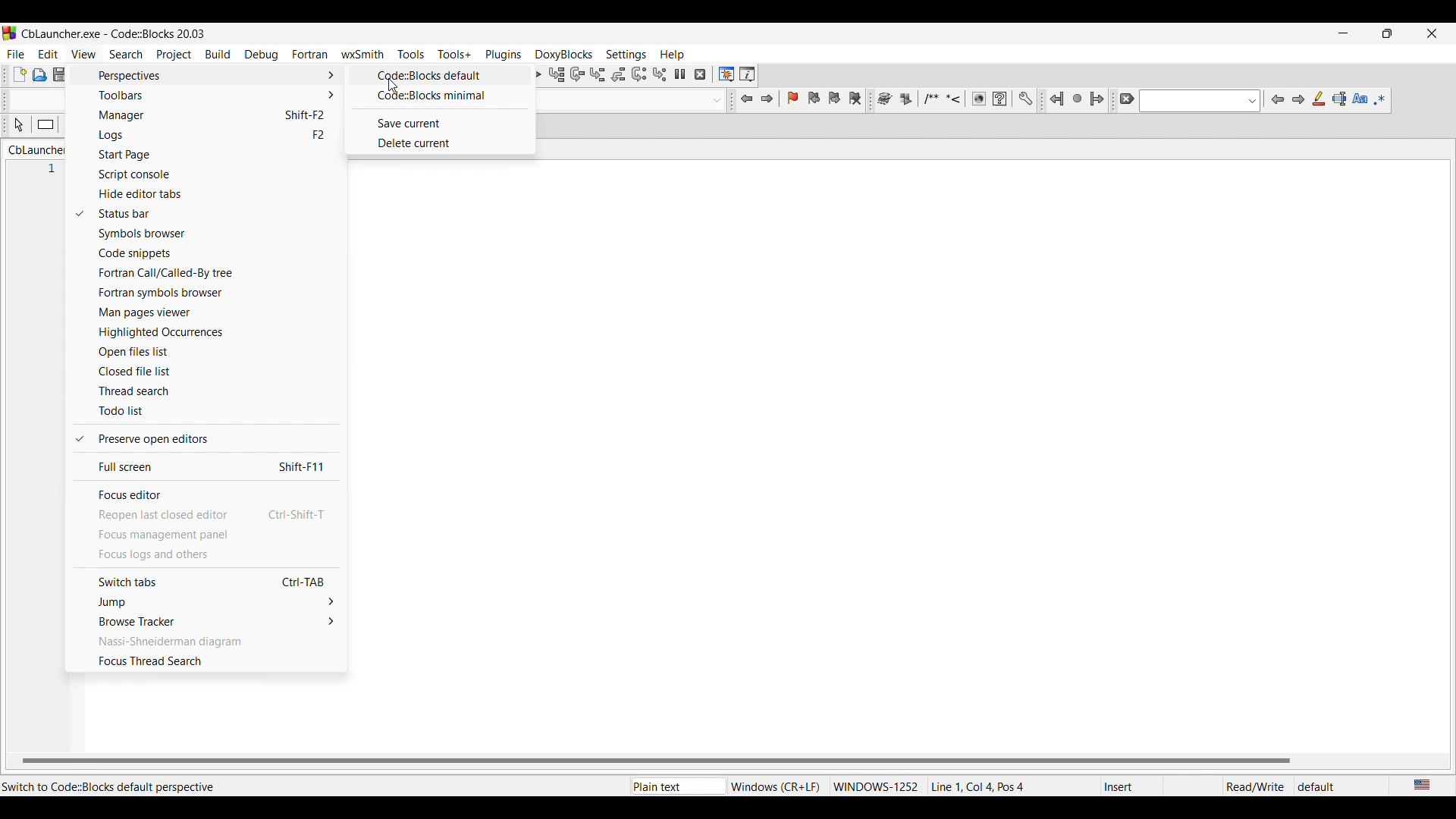  What do you see at coordinates (84, 54) in the screenshot?
I see `View menu` at bounding box center [84, 54].